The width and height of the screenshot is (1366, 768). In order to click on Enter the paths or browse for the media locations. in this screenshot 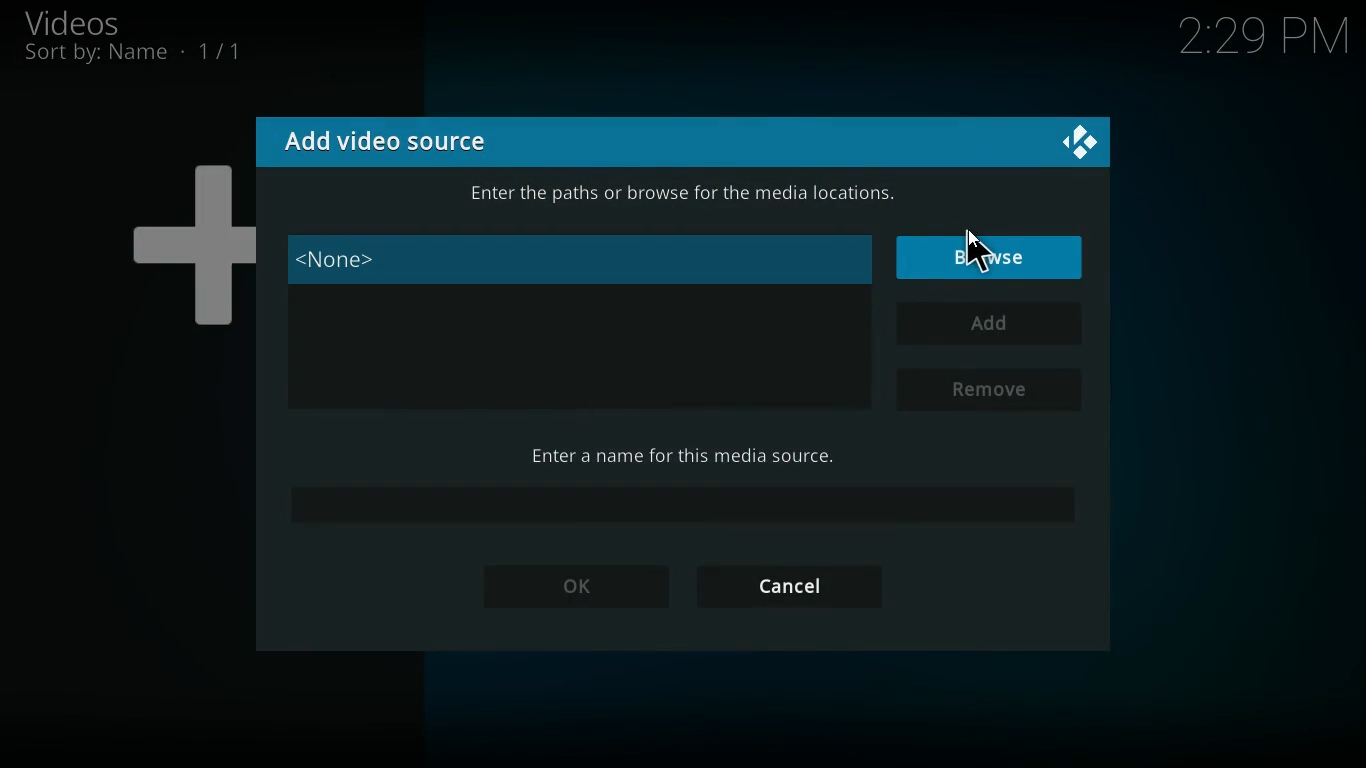, I will do `click(684, 193)`.